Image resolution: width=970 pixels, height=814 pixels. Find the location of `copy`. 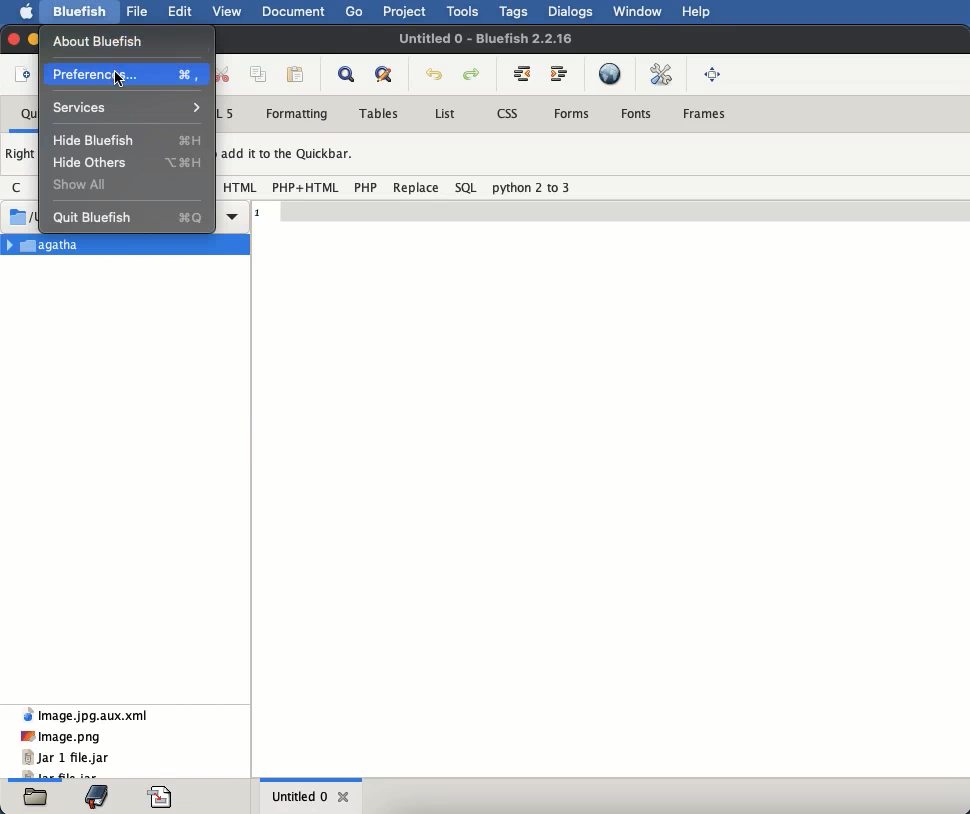

copy is located at coordinates (261, 75).